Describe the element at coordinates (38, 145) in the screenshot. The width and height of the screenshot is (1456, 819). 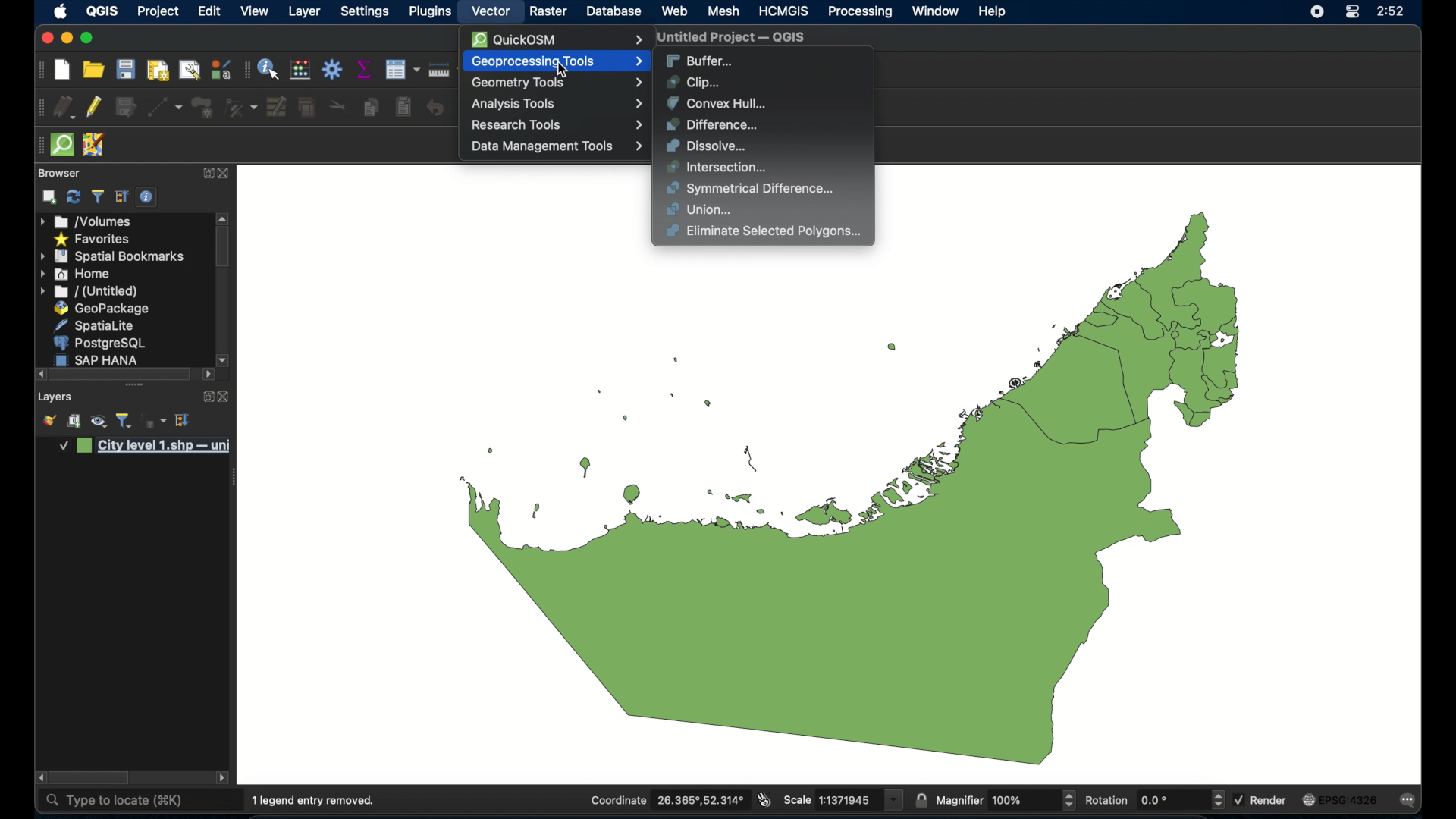
I see `drag handle` at that location.